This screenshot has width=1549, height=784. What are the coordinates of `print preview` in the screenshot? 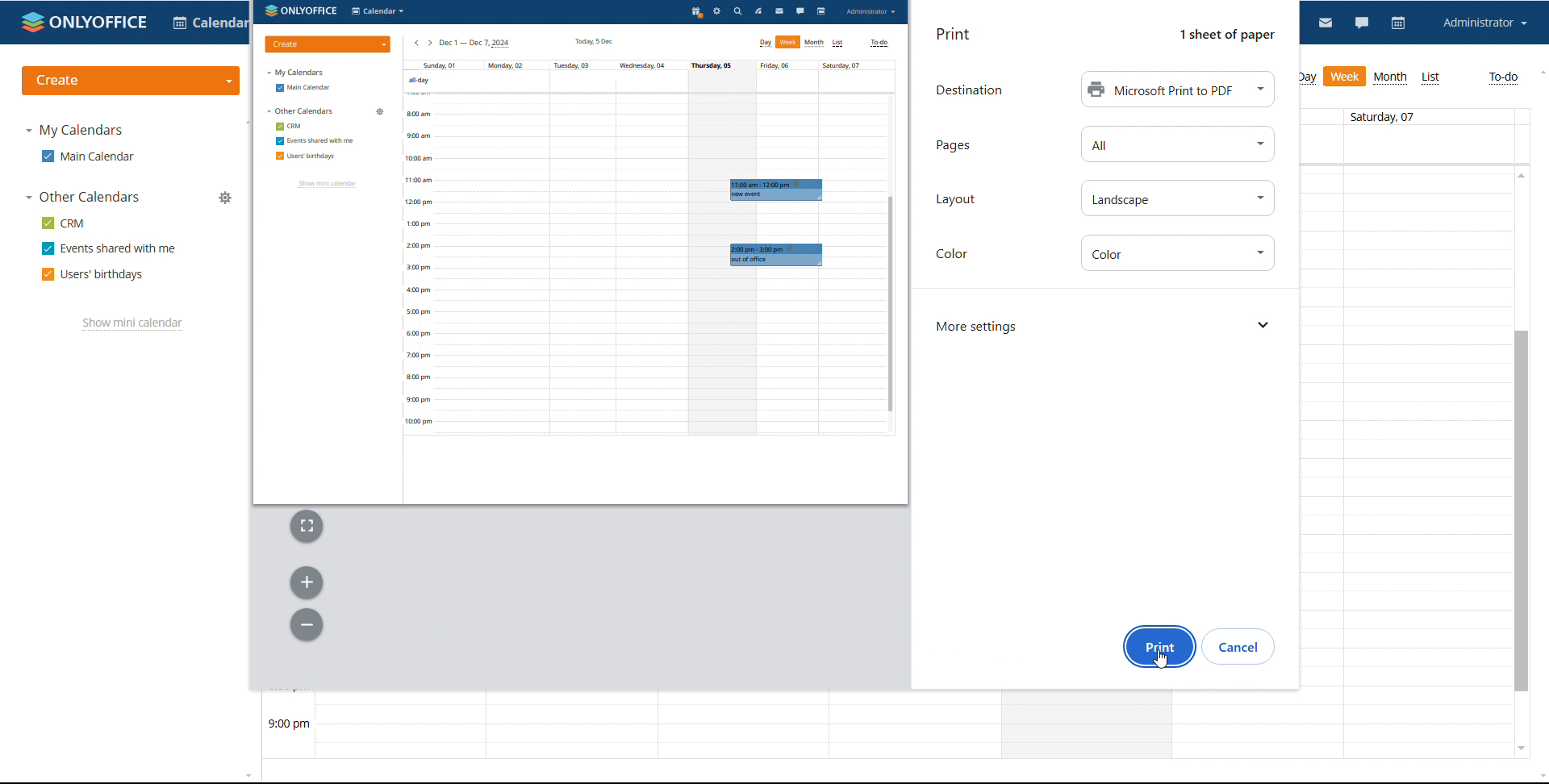 It's located at (581, 253).